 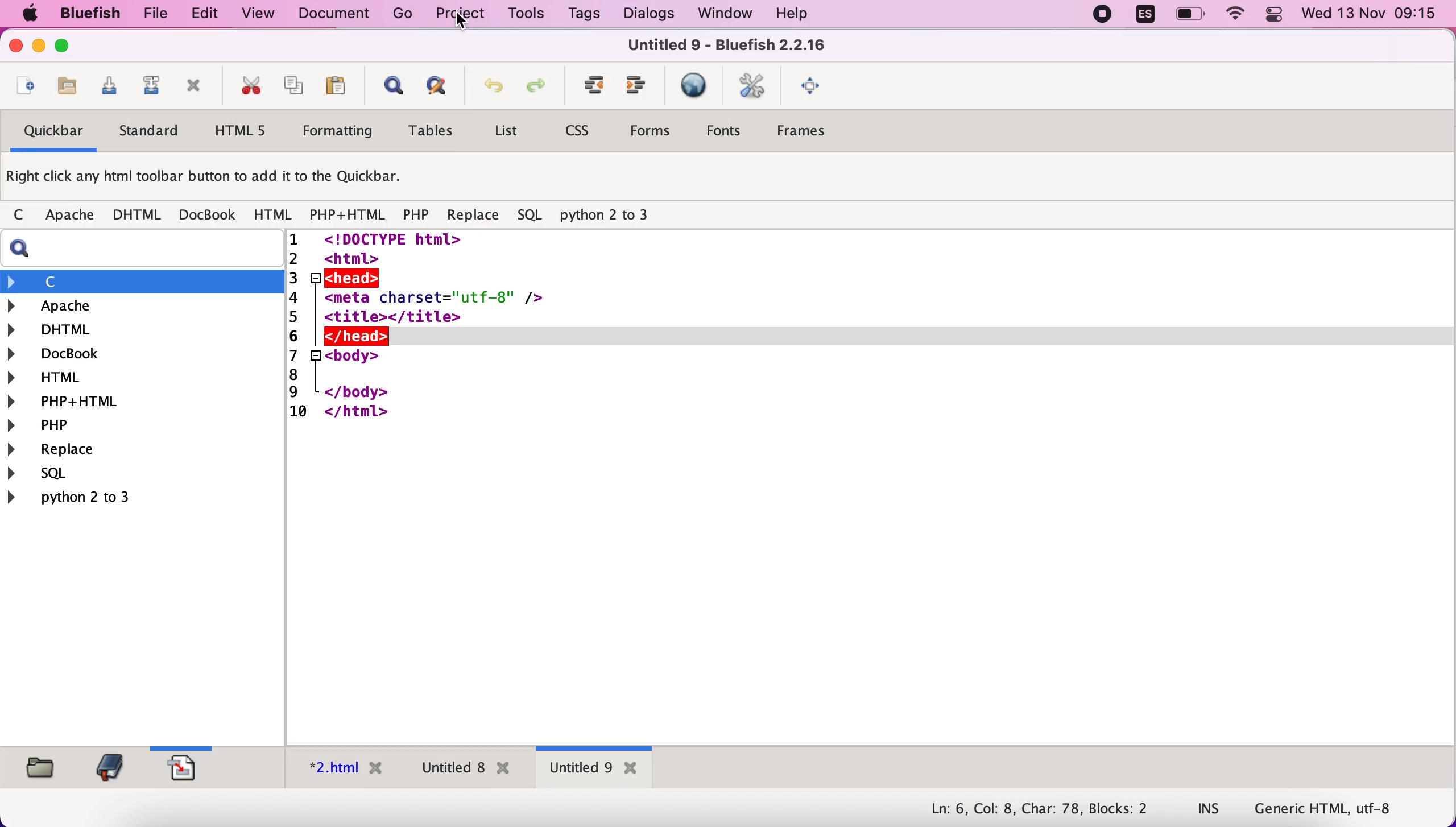 I want to click on dialogs, so click(x=645, y=14).